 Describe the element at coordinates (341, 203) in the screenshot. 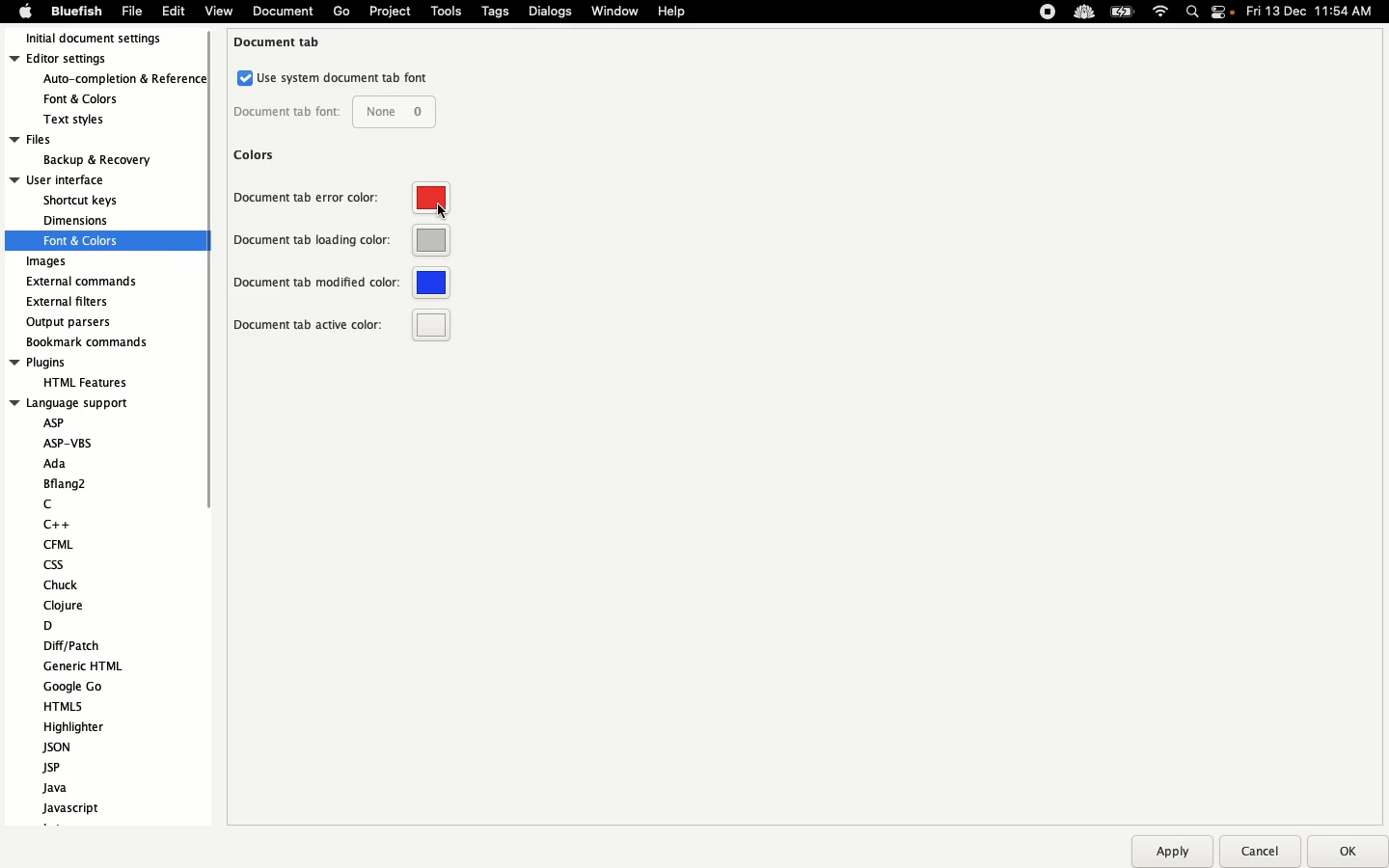

I see `Document tab error color` at that location.